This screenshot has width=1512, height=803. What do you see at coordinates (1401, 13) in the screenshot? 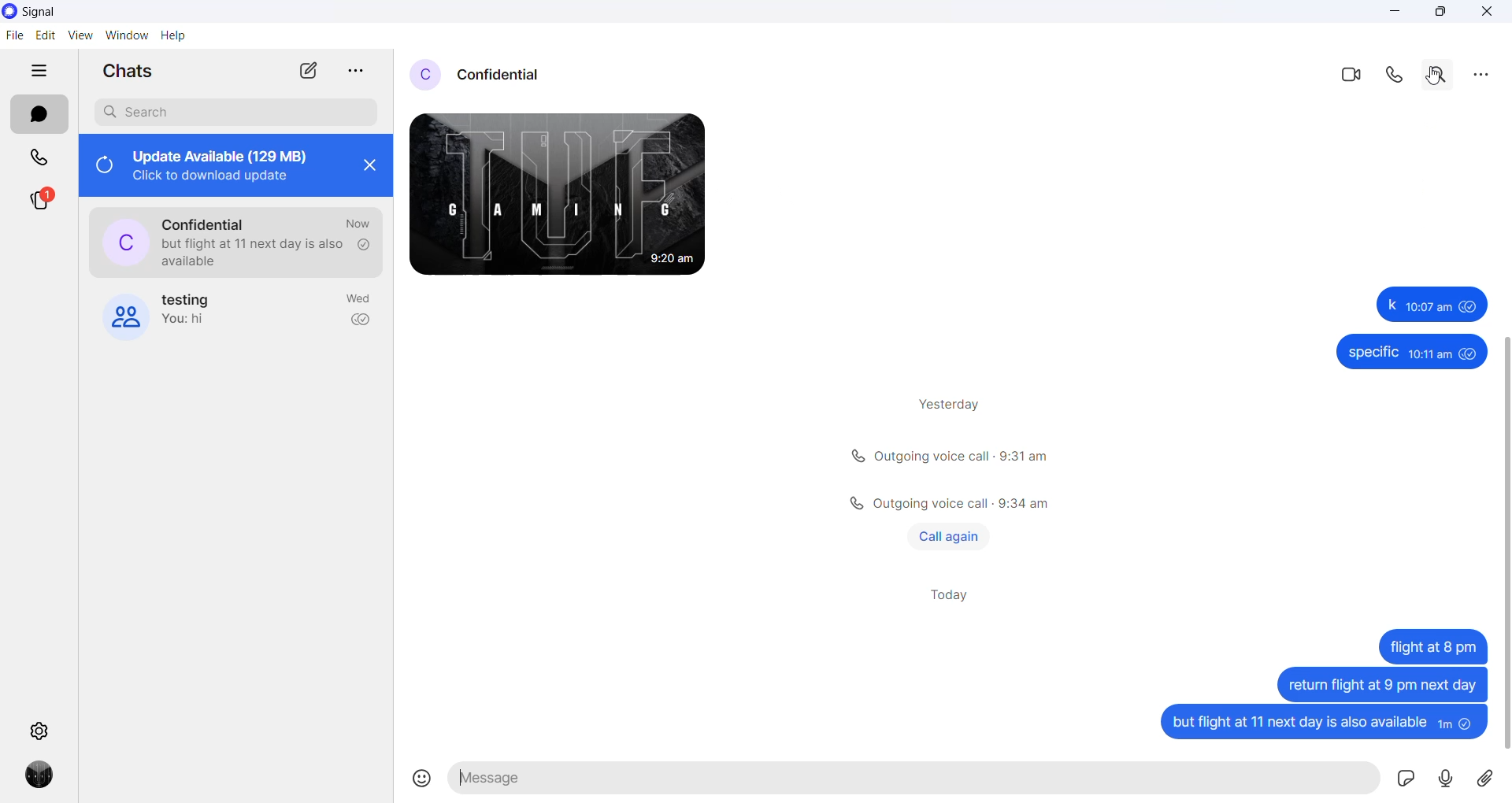
I see `minimize` at bounding box center [1401, 13].